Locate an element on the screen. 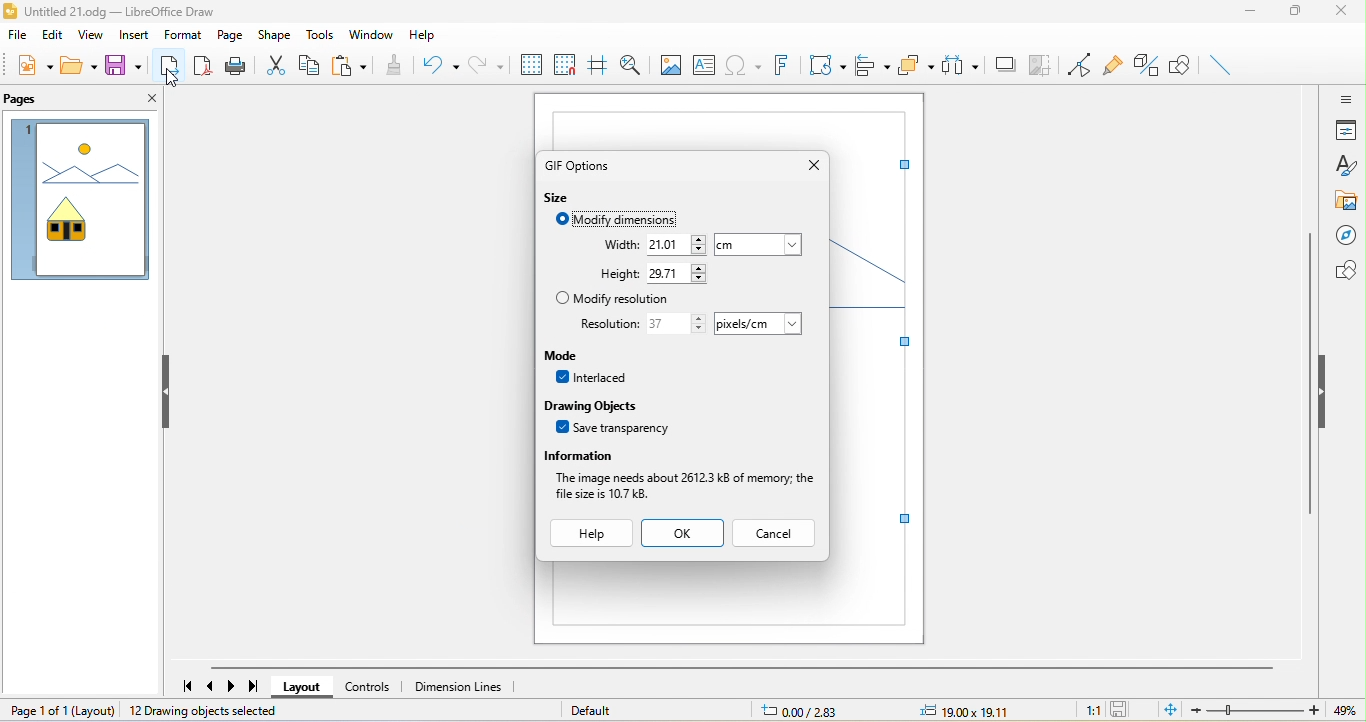 The image size is (1366, 722). hide is located at coordinates (161, 391).